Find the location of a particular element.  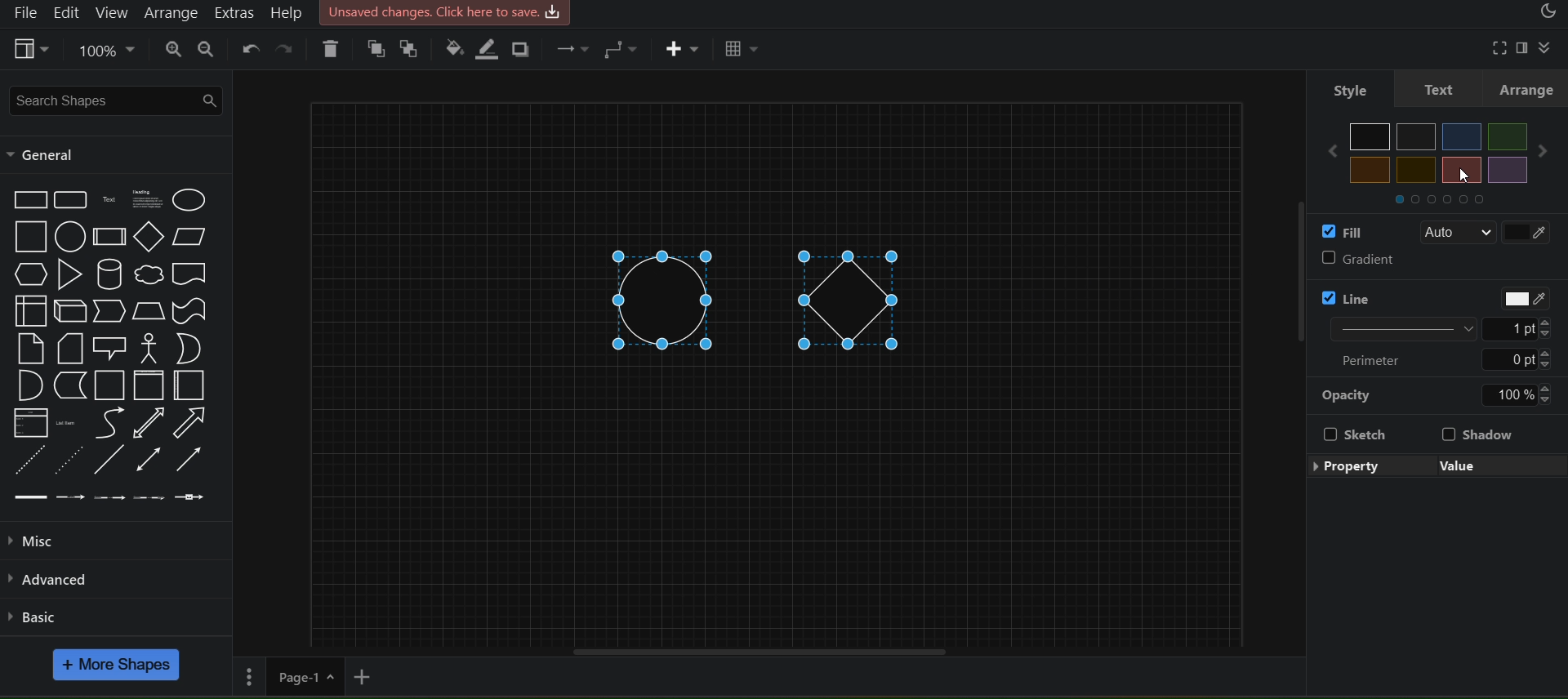

Parallelogram is located at coordinates (198, 237).